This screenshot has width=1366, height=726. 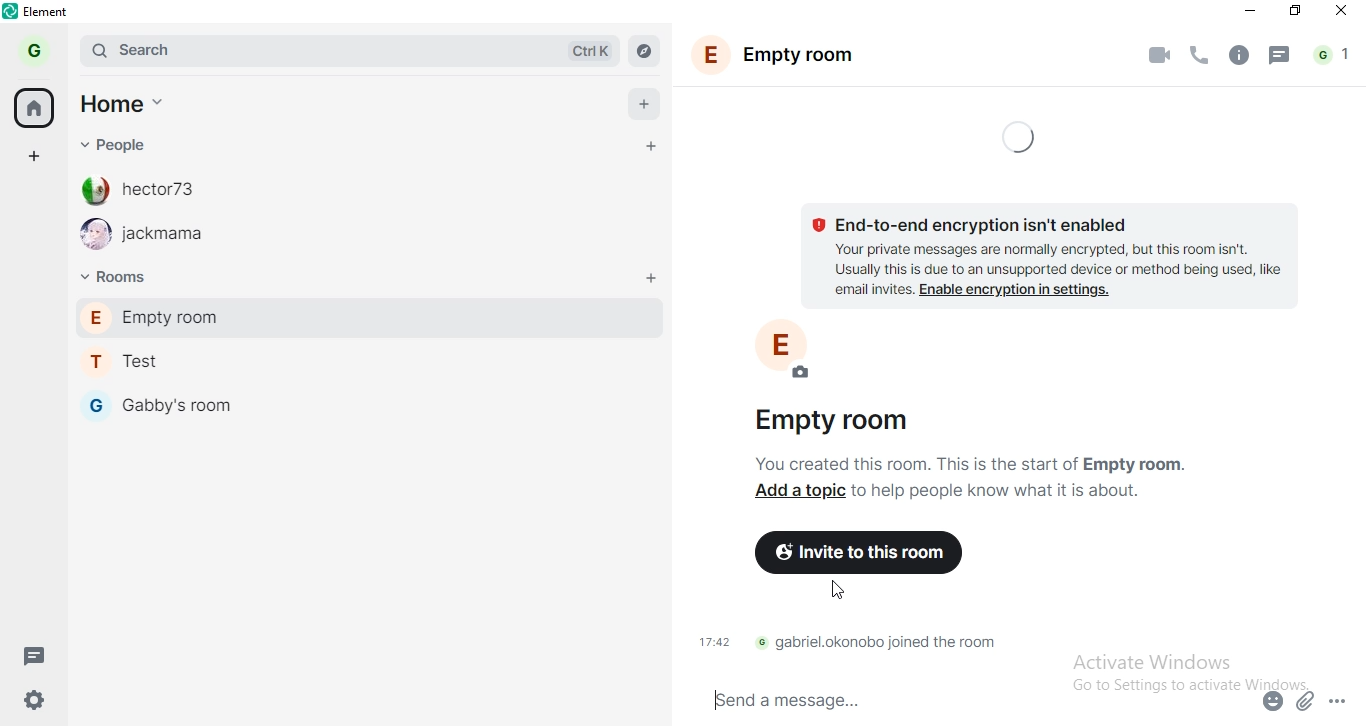 I want to click on video call, so click(x=1162, y=56).